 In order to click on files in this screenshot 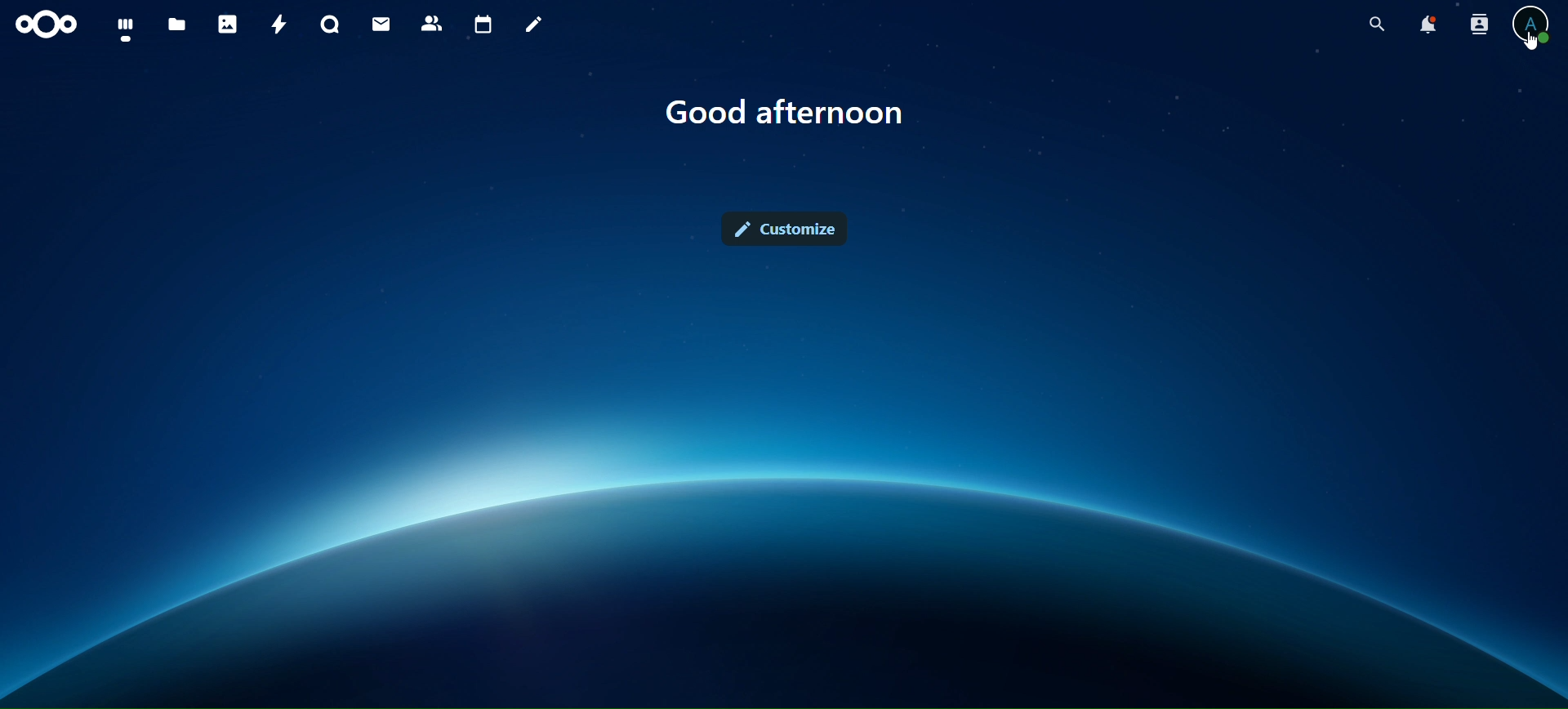, I will do `click(178, 25)`.